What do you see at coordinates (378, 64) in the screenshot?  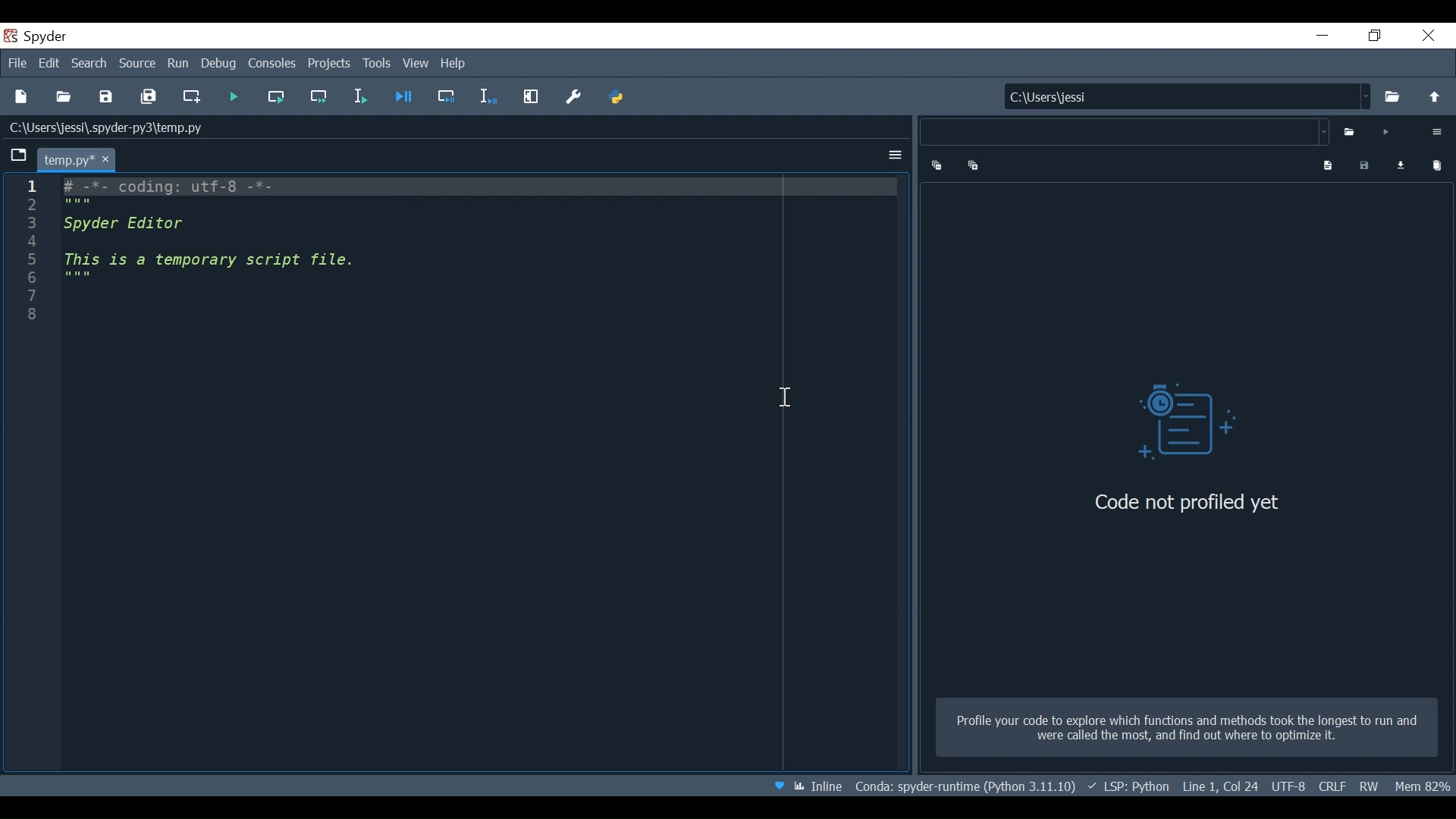 I see `Tools` at bounding box center [378, 64].